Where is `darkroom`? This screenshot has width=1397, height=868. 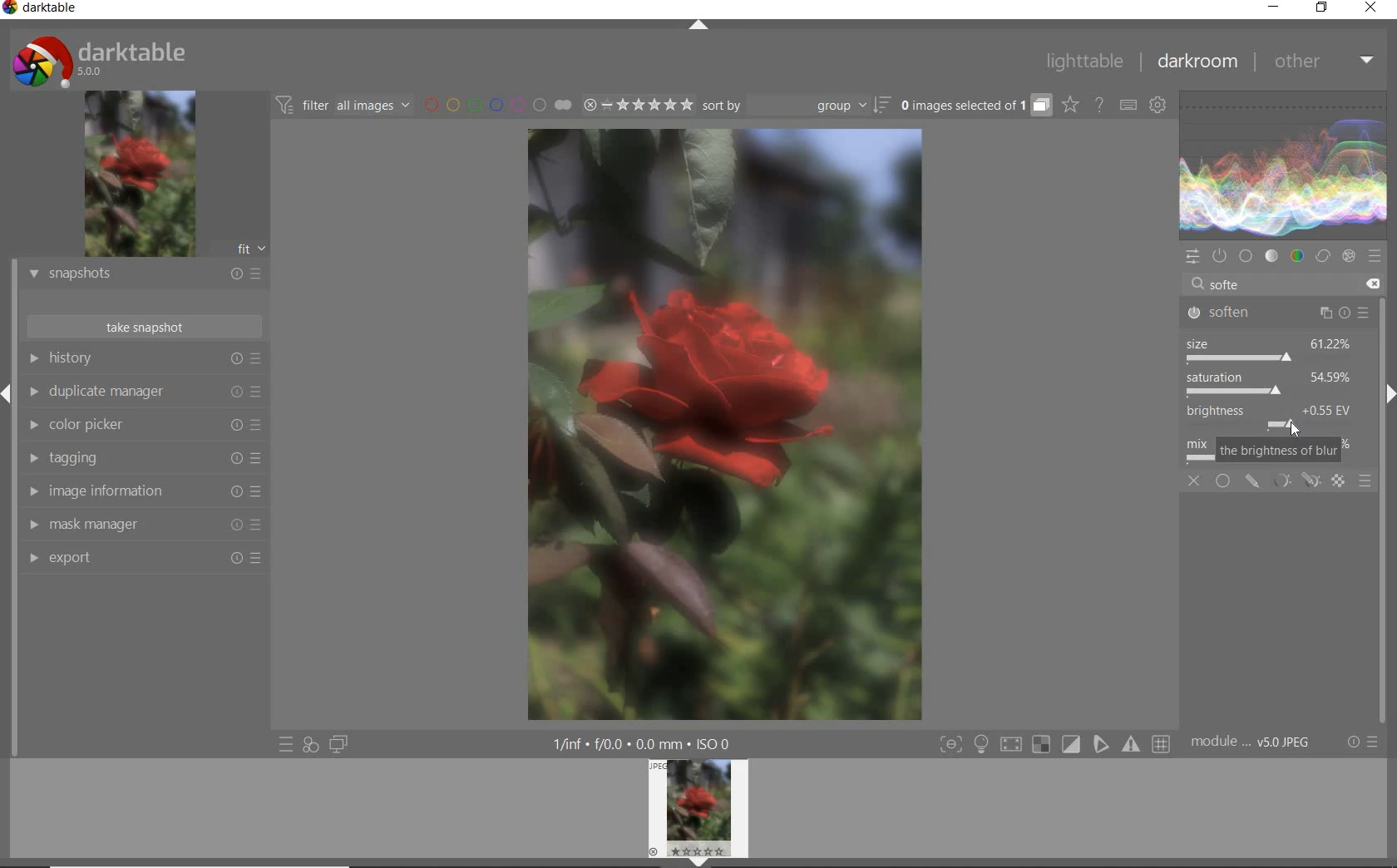
darkroom is located at coordinates (1197, 64).